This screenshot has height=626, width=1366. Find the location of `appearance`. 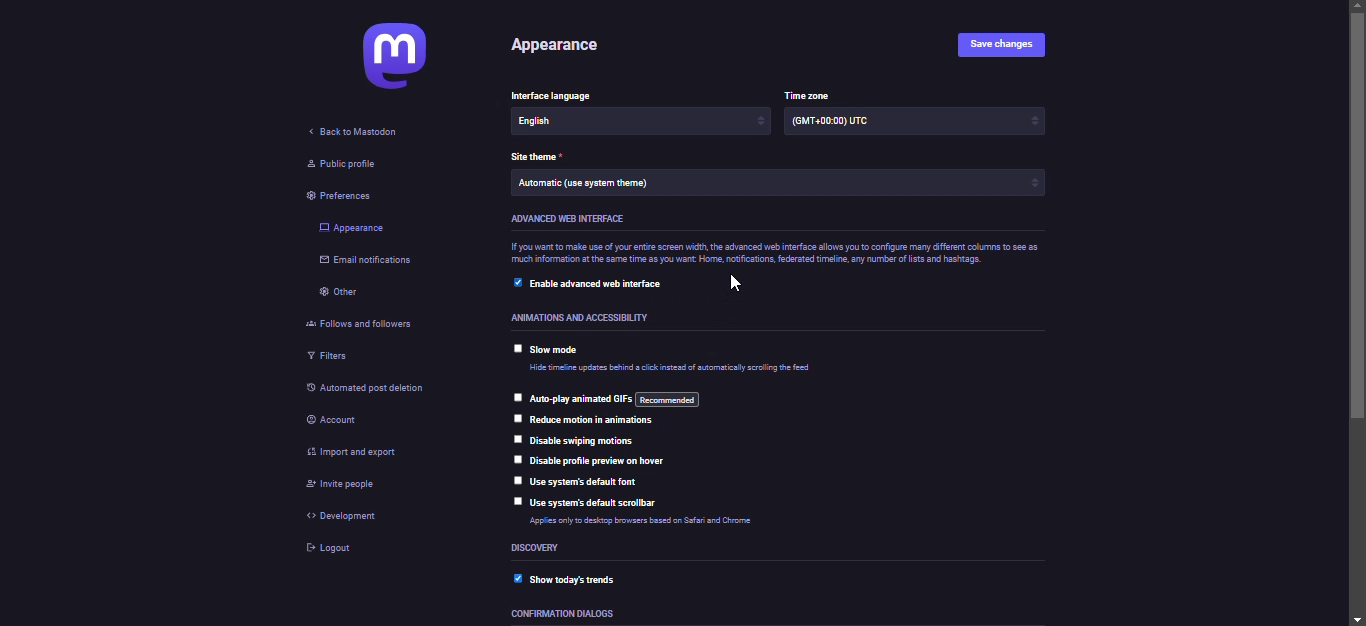

appearance is located at coordinates (349, 226).